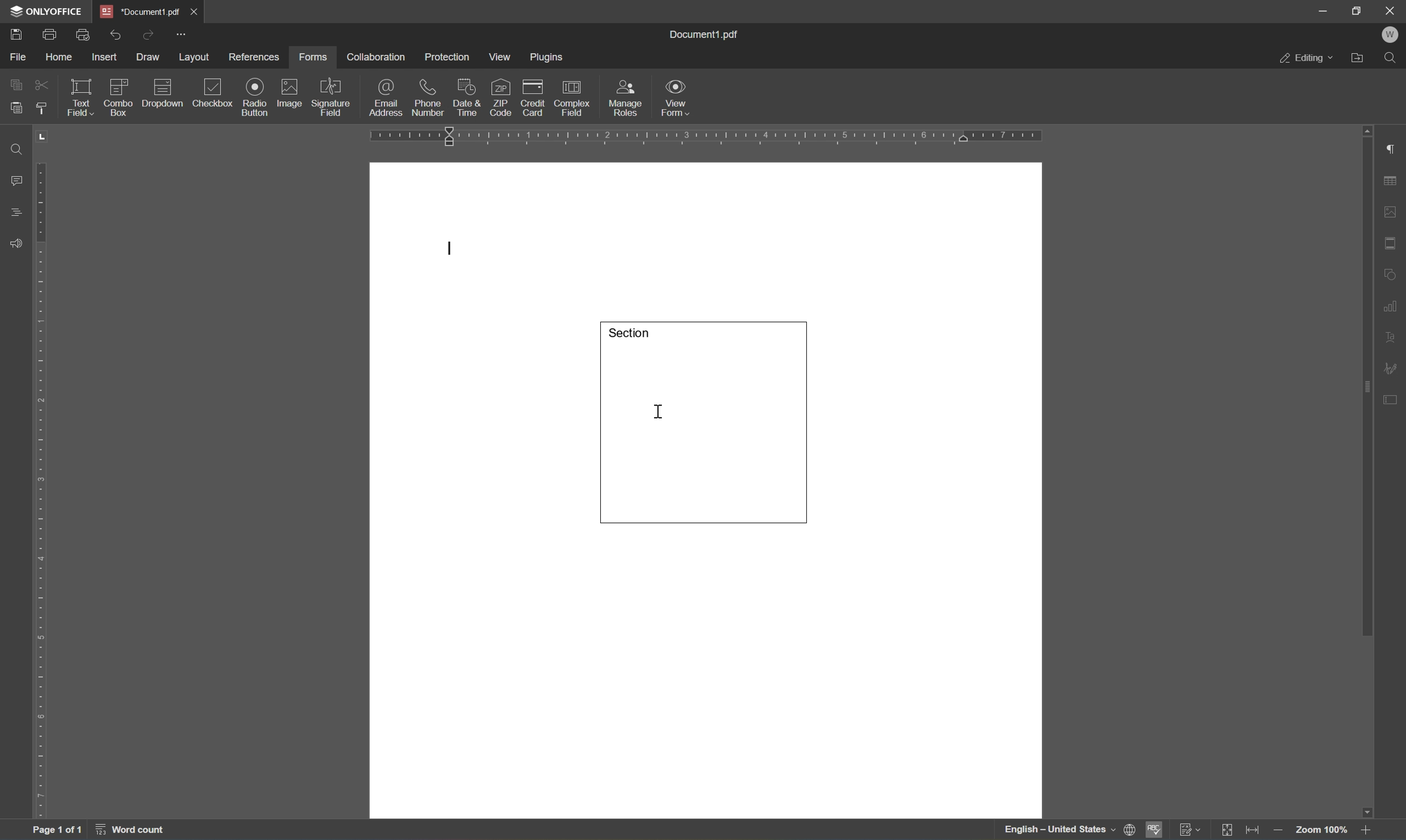 This screenshot has width=1406, height=840. What do you see at coordinates (447, 248) in the screenshot?
I see `typing cursor` at bounding box center [447, 248].